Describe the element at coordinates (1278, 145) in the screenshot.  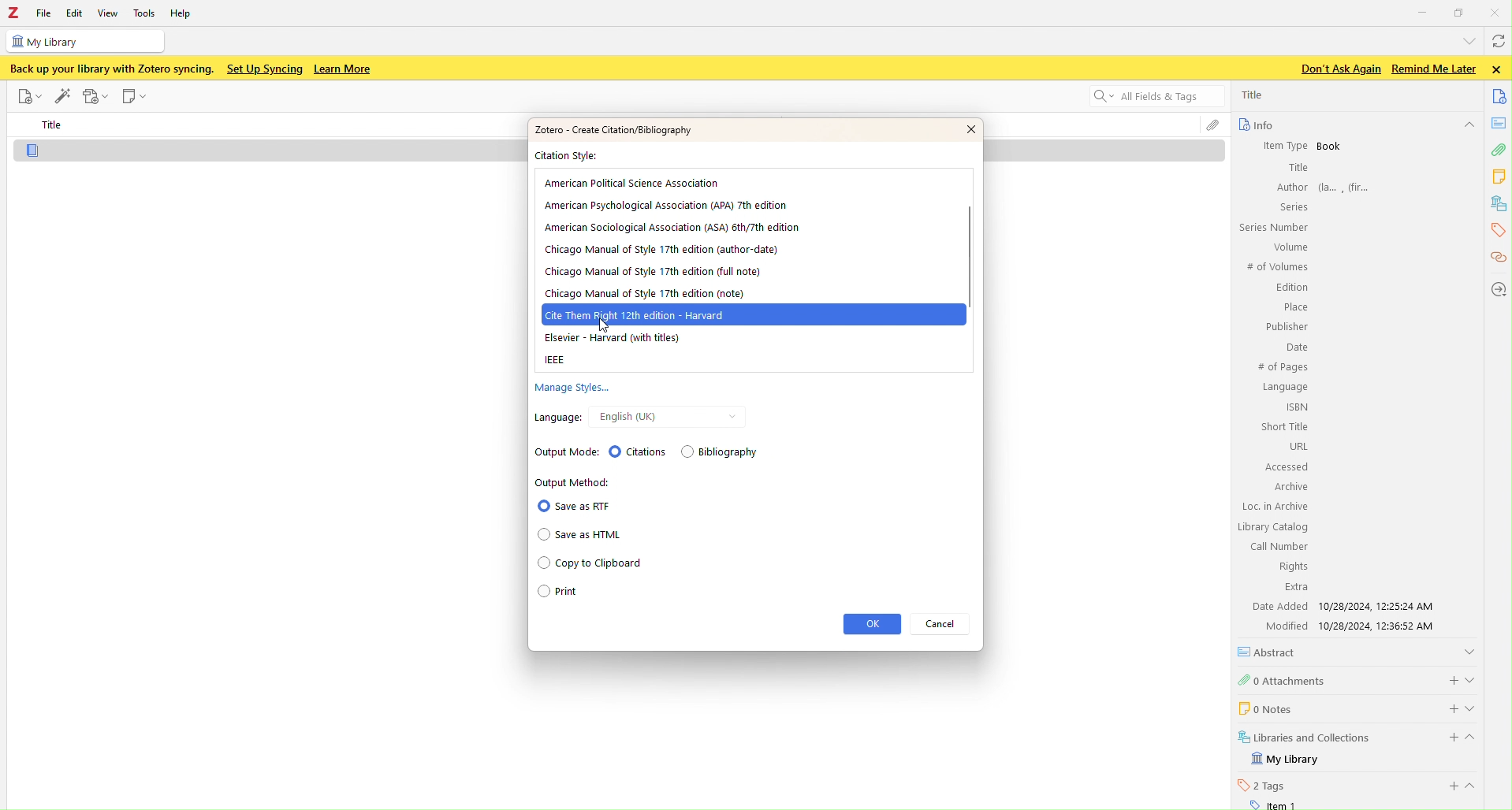
I see `Item Type` at that location.